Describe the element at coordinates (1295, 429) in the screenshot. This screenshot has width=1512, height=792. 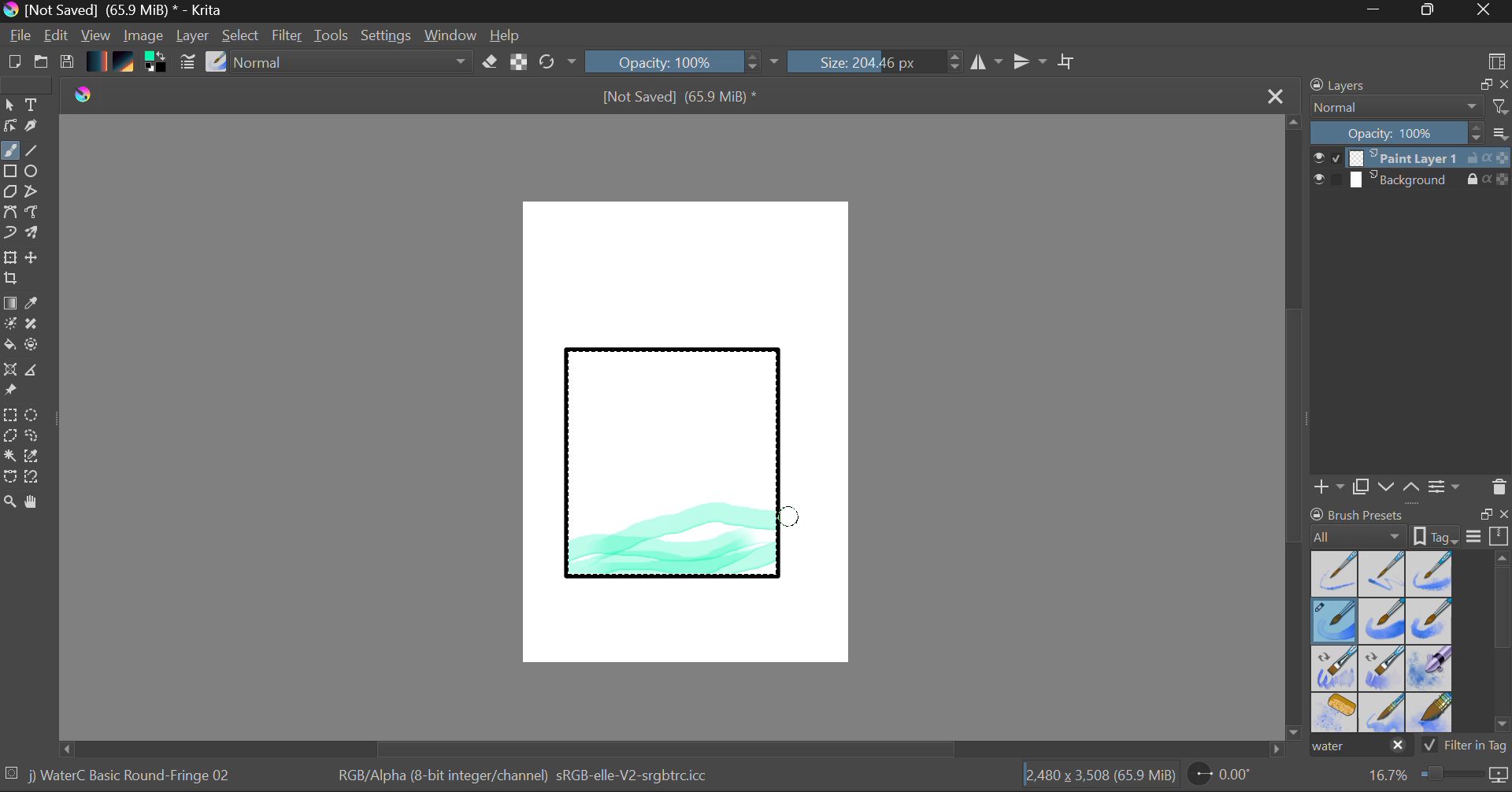
I see `Scroll Bar` at that location.